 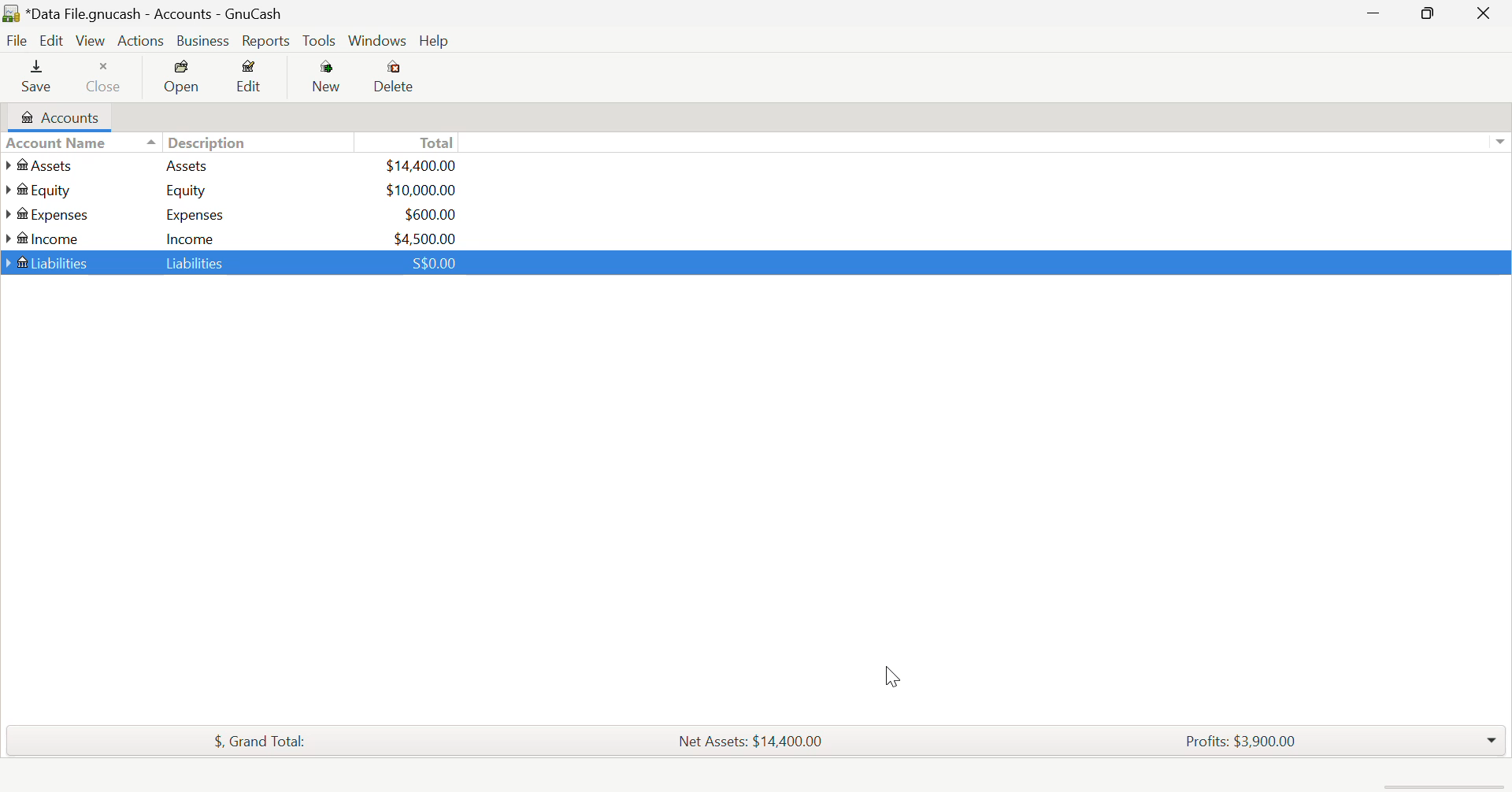 What do you see at coordinates (894, 680) in the screenshot?
I see `Cursor Position AFTER_LAST_ACTION` at bounding box center [894, 680].